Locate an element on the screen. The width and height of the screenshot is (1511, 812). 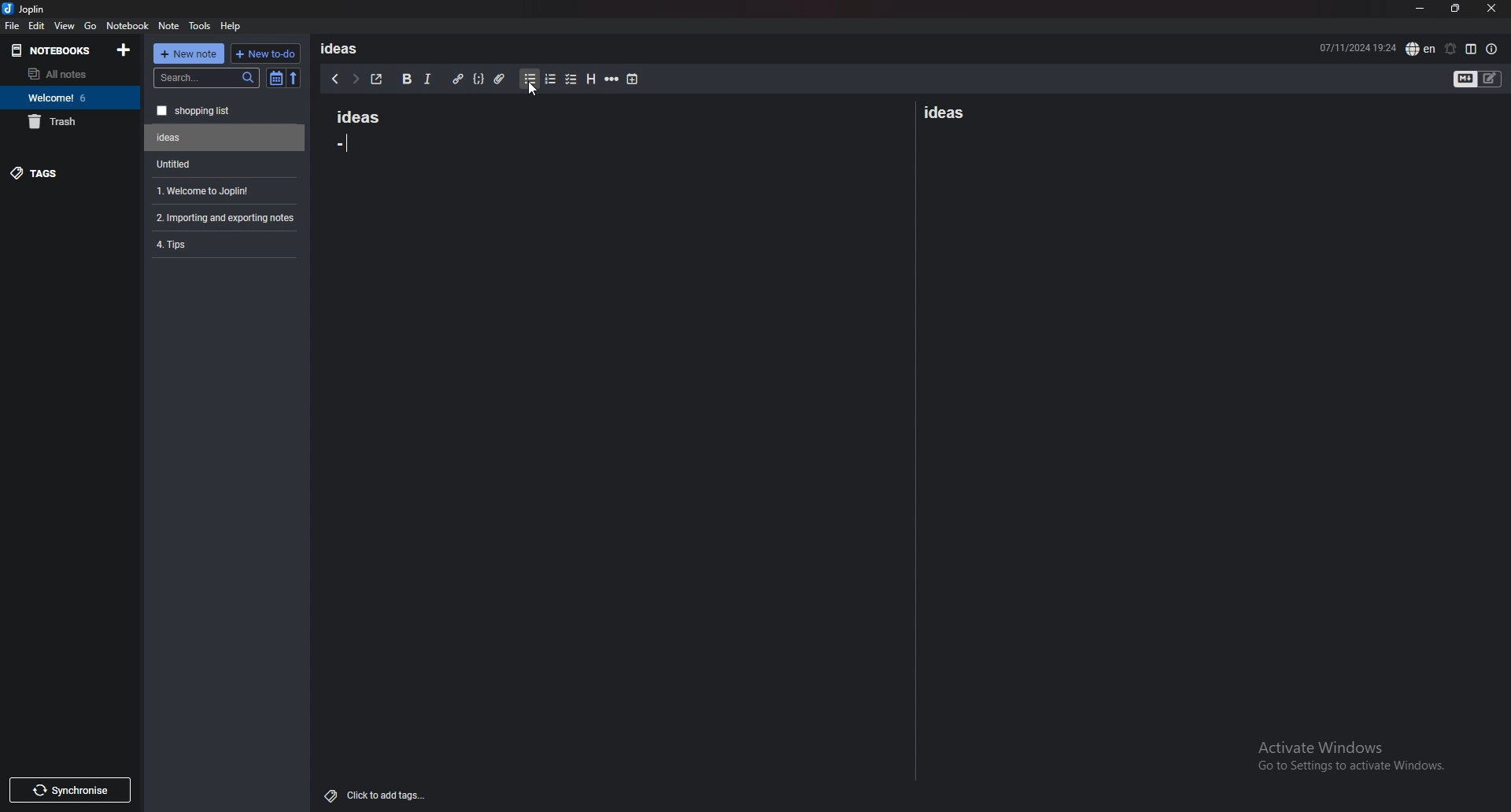
Synchronise is located at coordinates (69, 790).